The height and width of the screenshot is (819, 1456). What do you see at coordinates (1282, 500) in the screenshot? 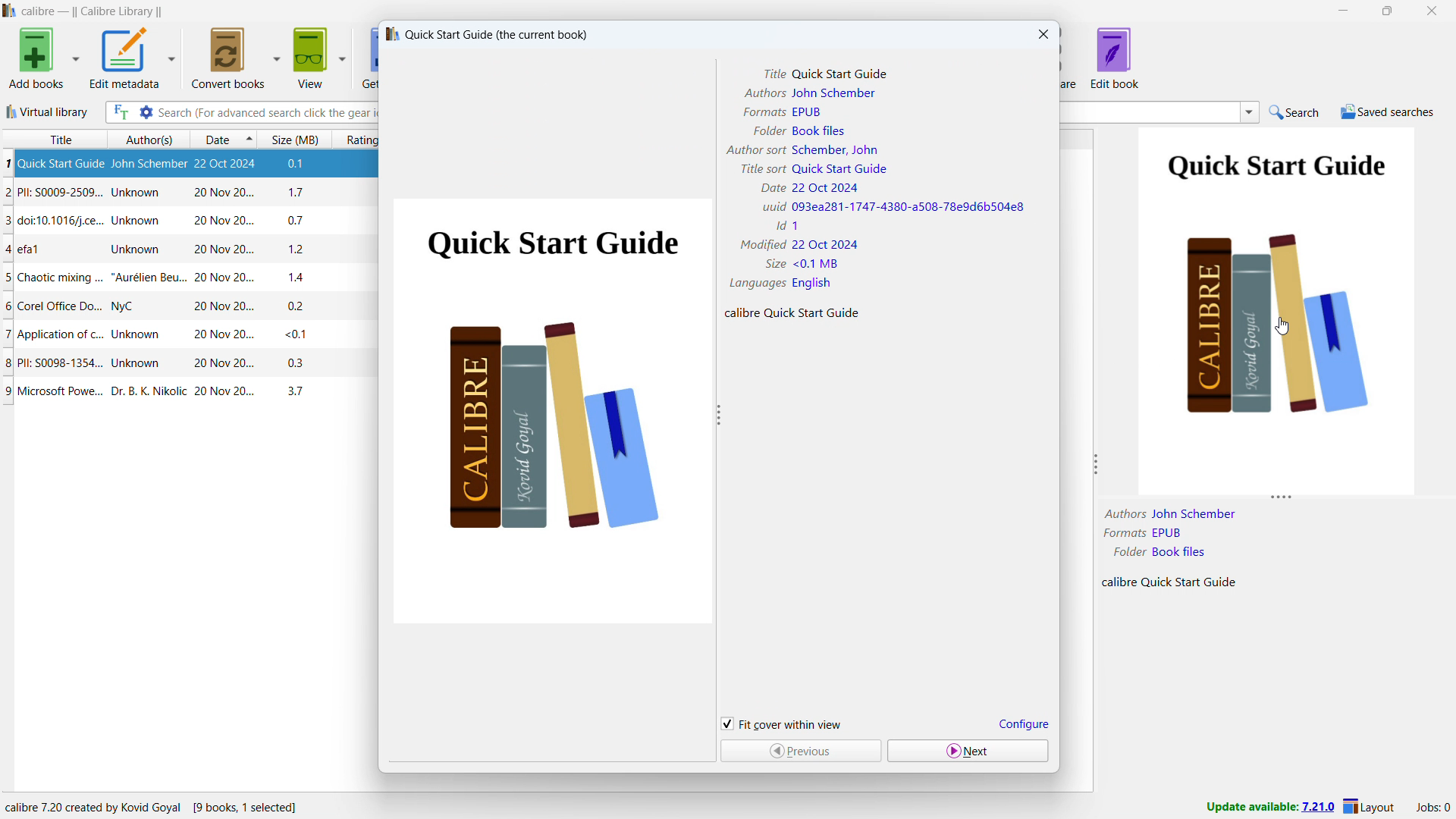
I see `resize` at bounding box center [1282, 500].